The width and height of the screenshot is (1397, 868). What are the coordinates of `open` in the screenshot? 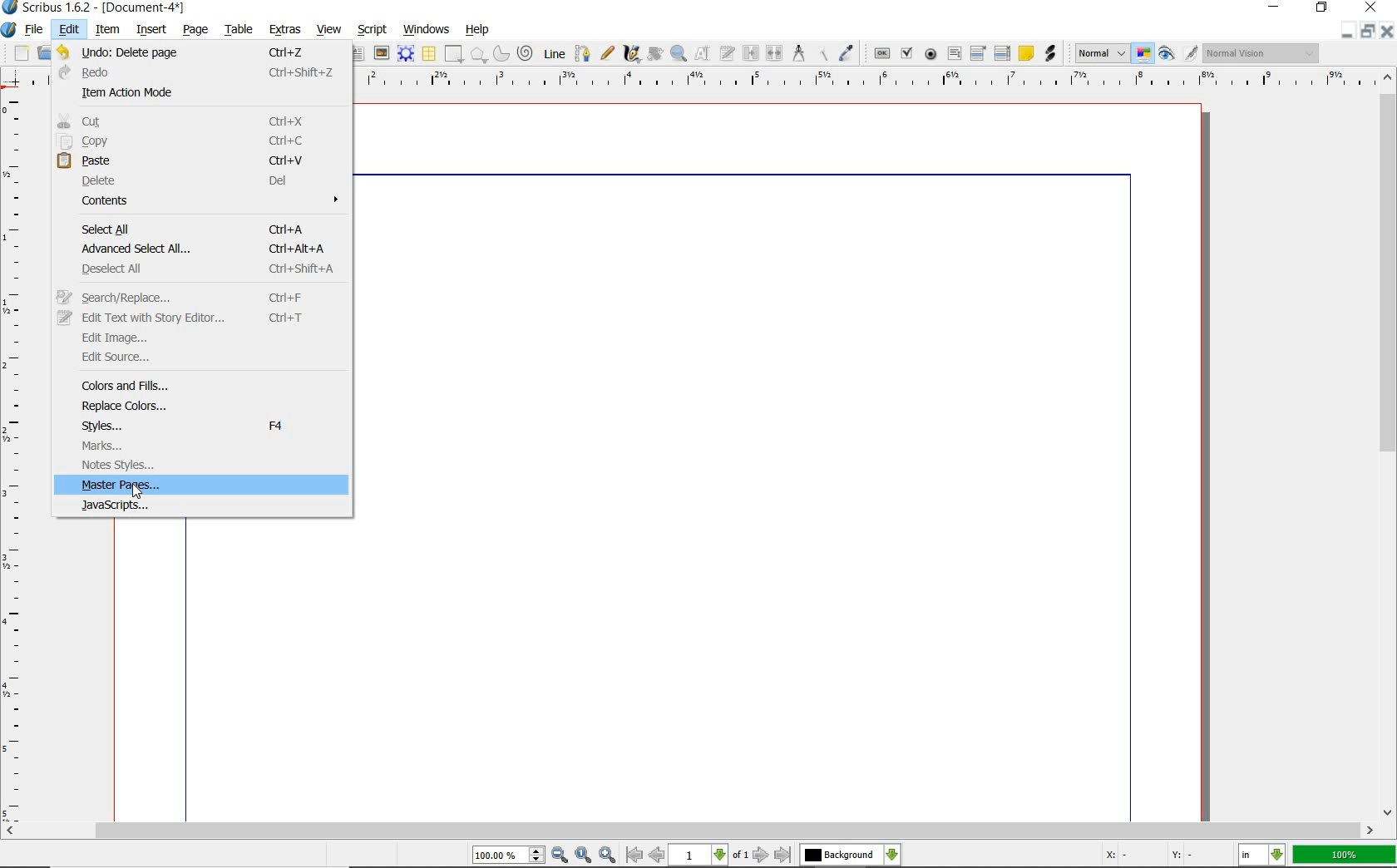 It's located at (42, 53).